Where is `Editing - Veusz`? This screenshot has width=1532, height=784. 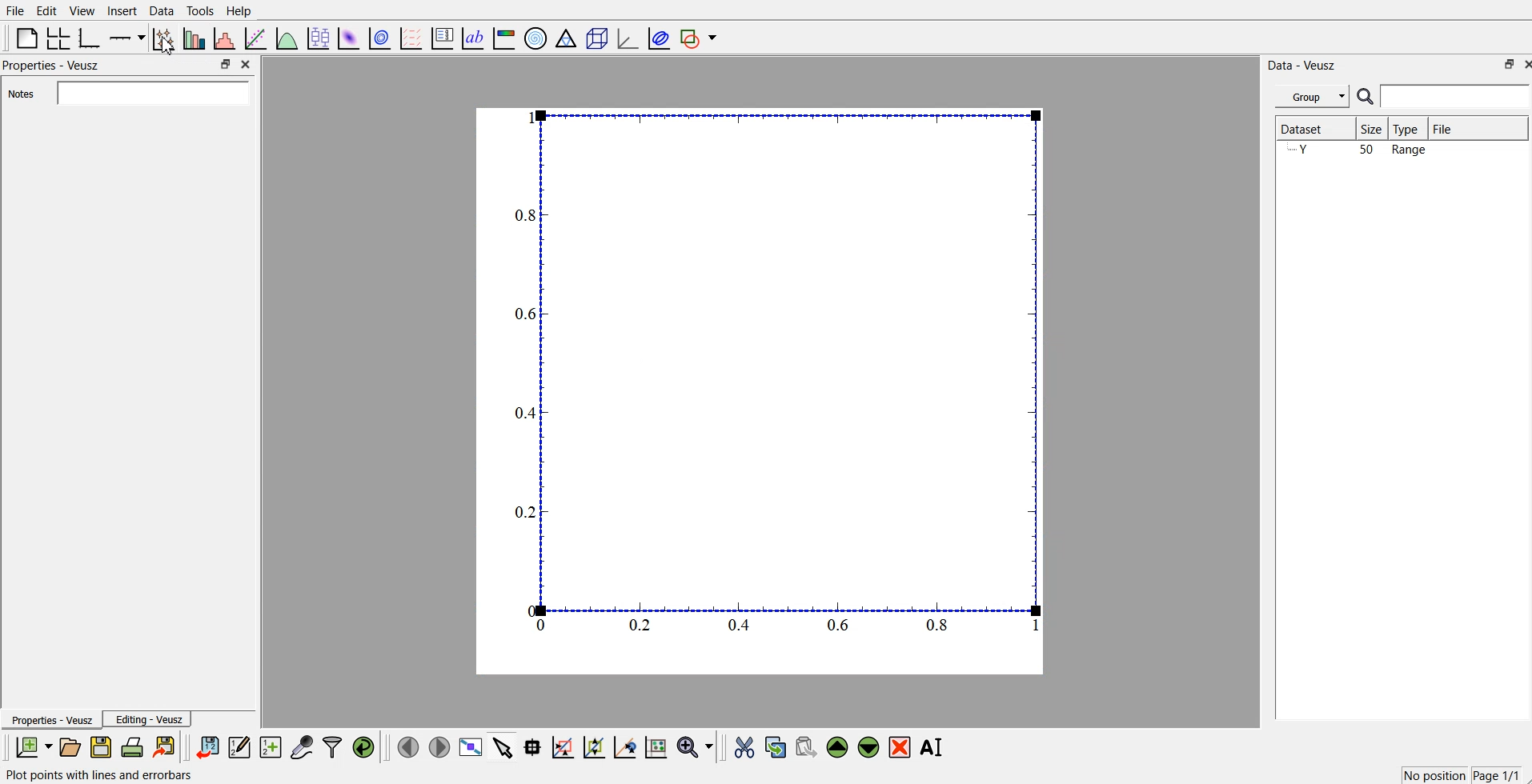
Editing - Veusz is located at coordinates (150, 719).